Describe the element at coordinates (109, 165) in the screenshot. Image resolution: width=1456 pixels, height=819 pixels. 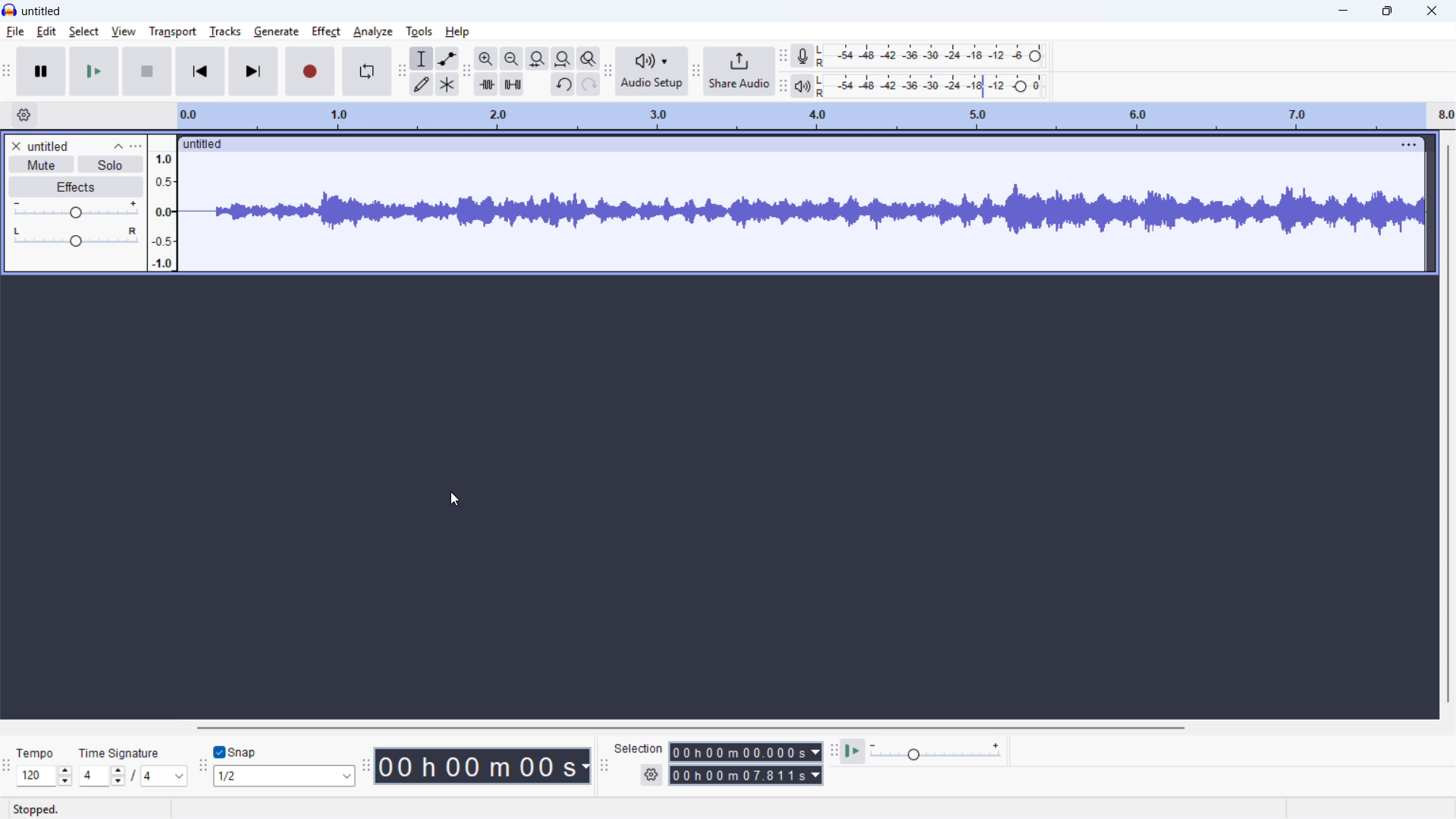
I see `solo` at that location.